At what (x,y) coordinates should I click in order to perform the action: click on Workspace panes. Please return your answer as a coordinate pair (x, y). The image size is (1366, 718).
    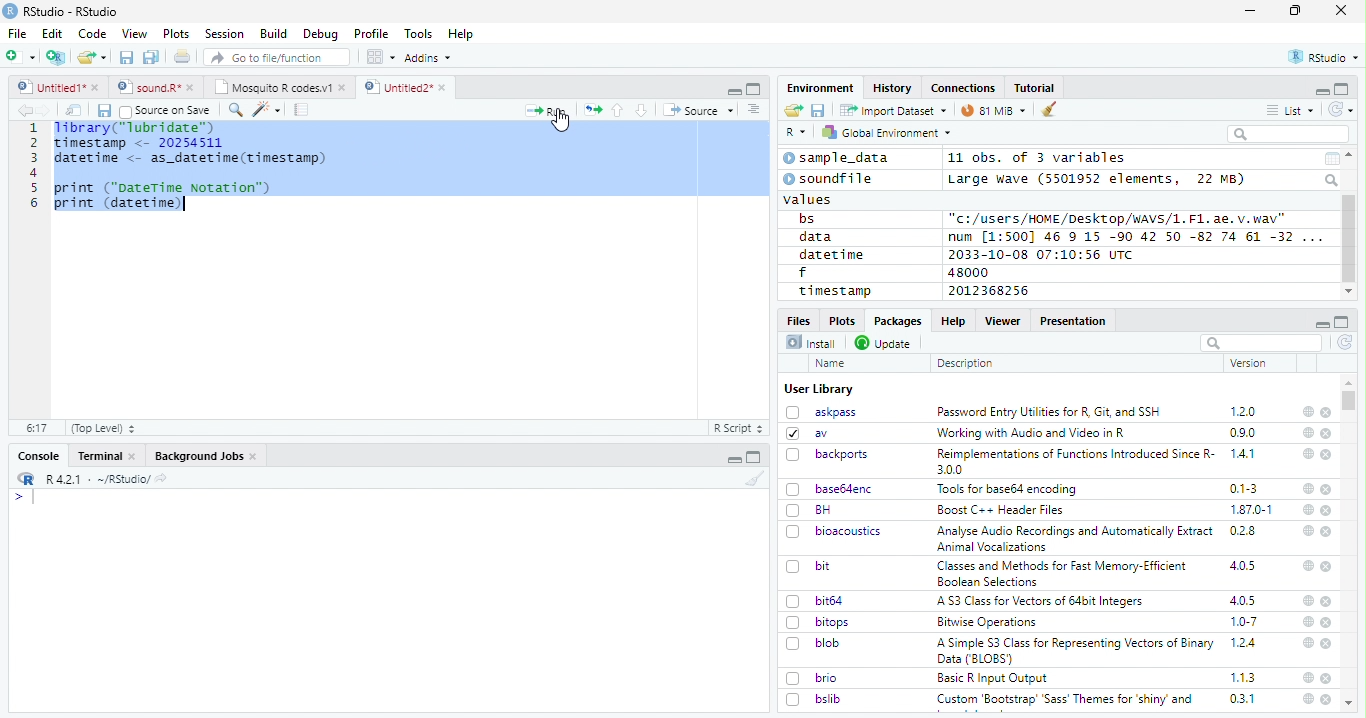
    Looking at the image, I should click on (381, 57).